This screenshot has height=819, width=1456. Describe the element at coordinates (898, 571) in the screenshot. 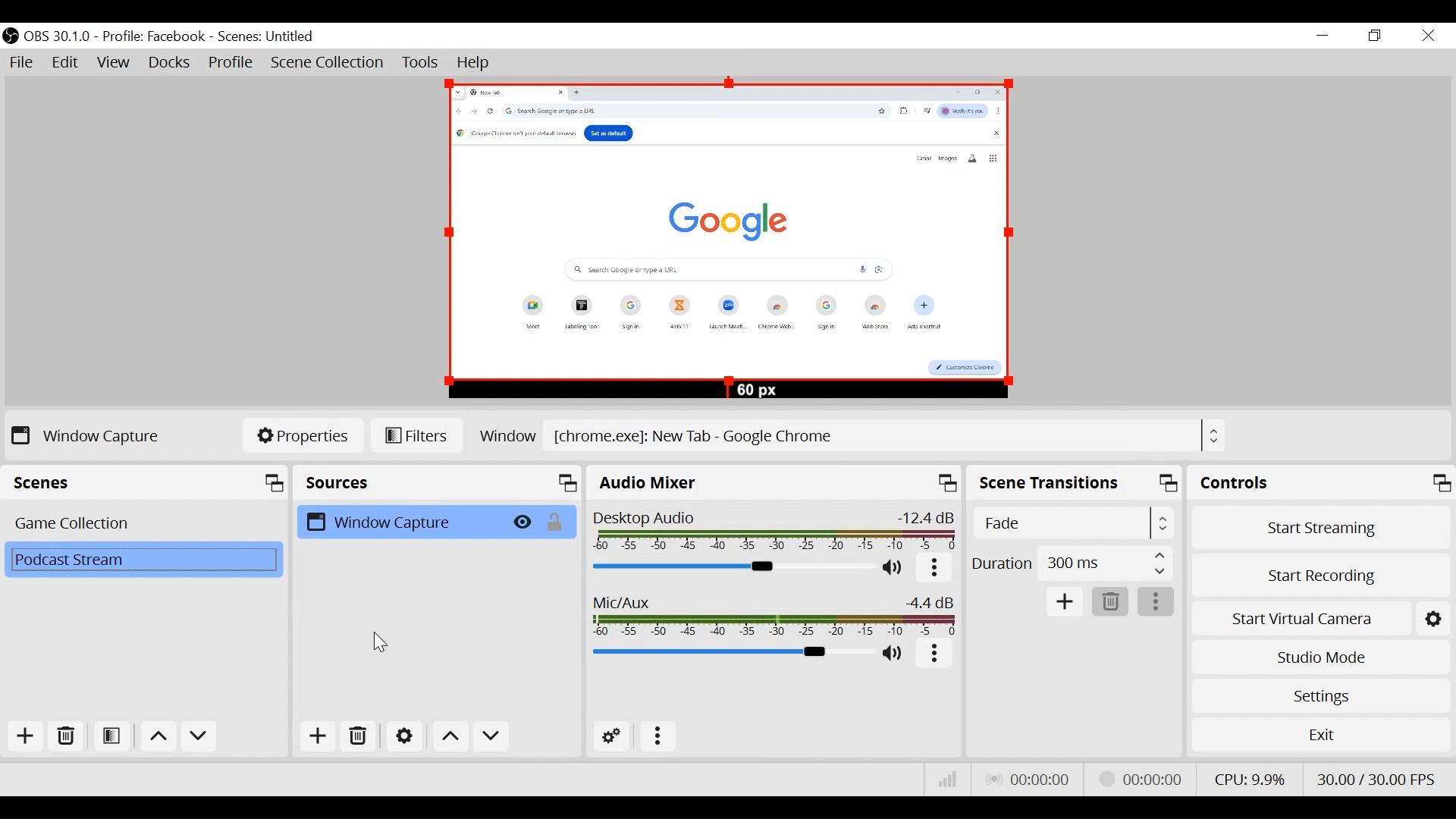

I see `(un)mute` at that location.